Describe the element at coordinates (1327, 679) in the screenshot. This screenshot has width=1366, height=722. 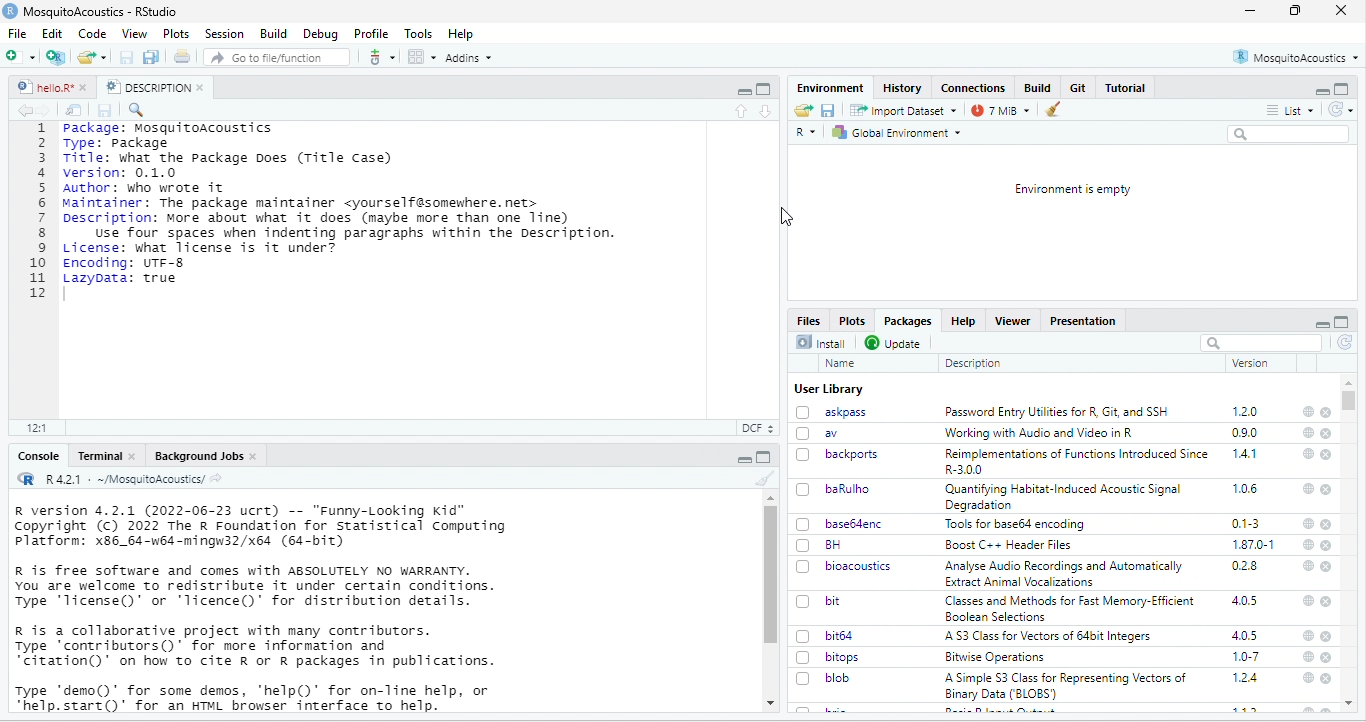
I see `close` at that location.